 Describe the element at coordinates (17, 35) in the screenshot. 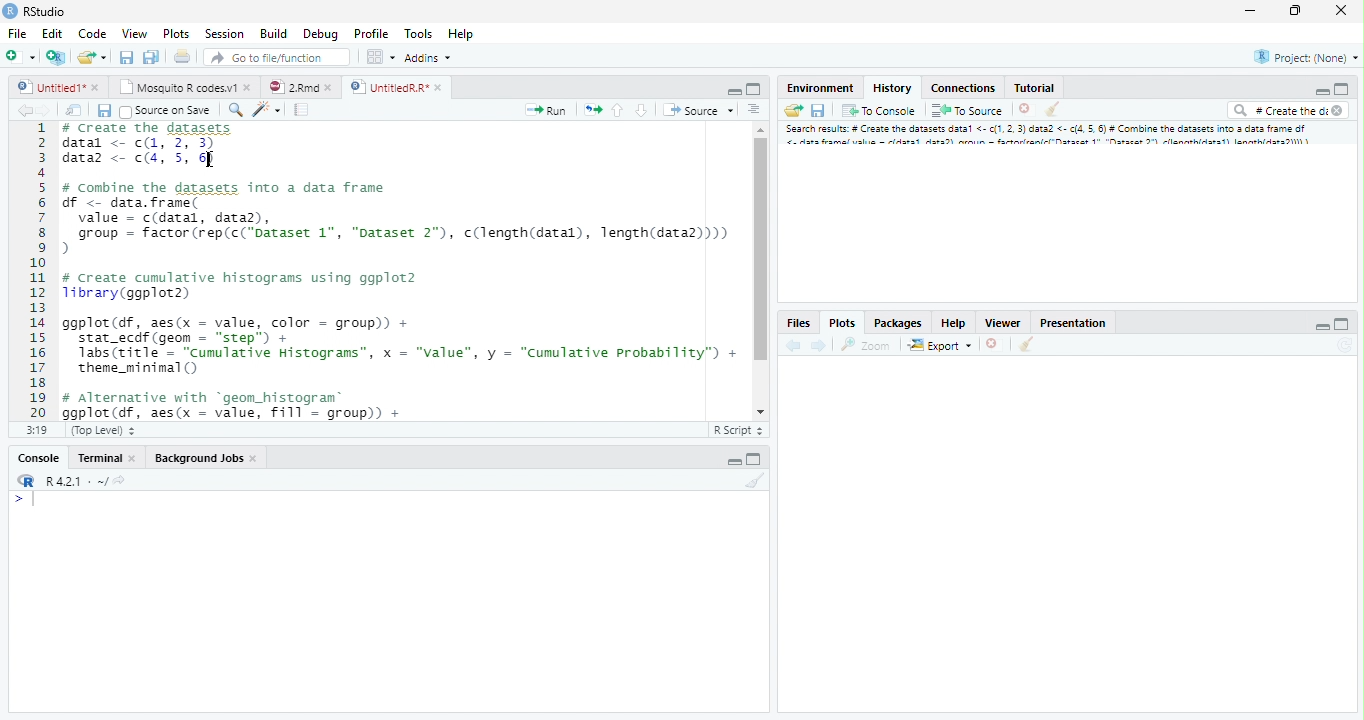

I see `File` at that location.